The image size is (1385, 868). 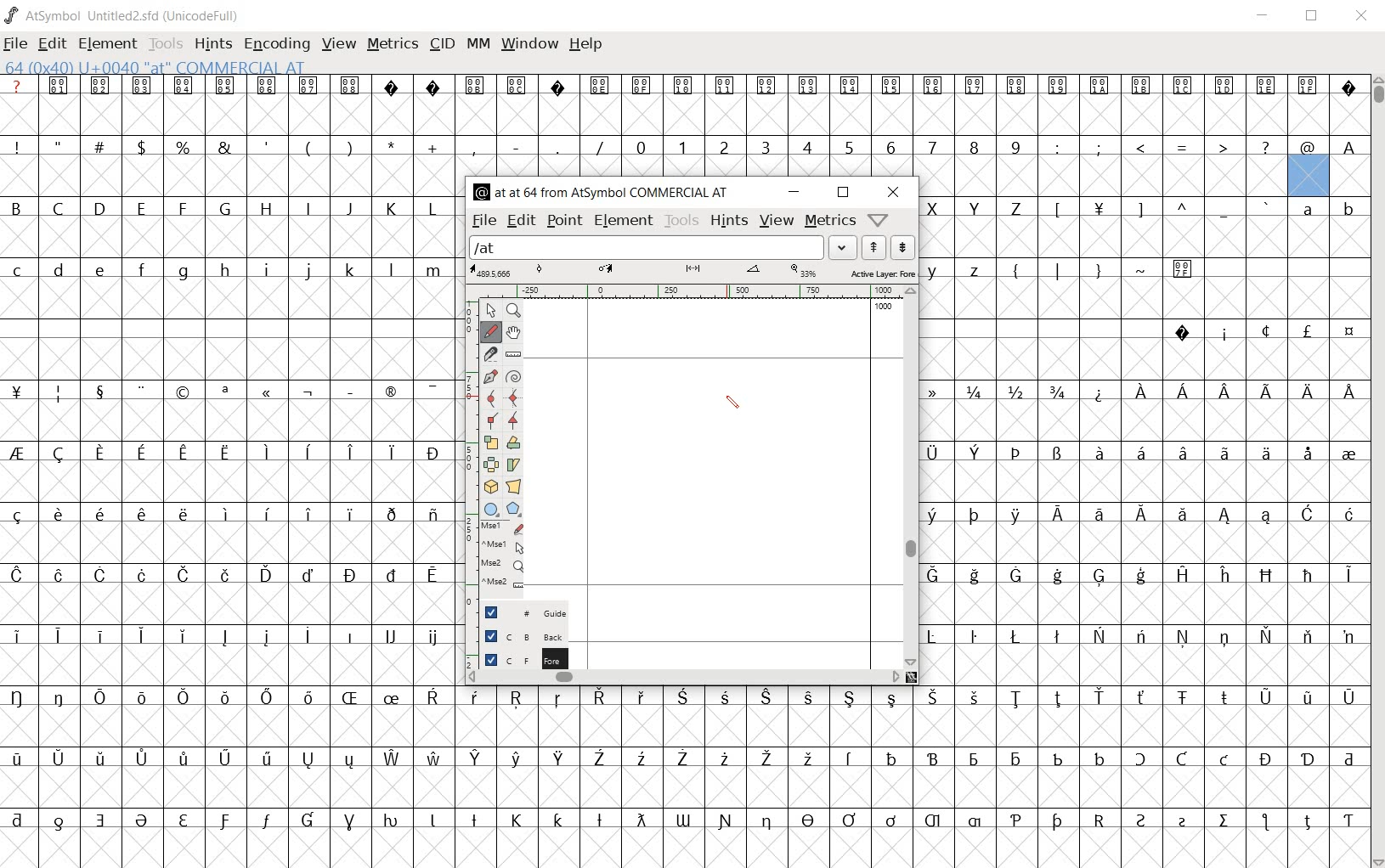 What do you see at coordinates (108, 45) in the screenshot?
I see `ELEMENT` at bounding box center [108, 45].